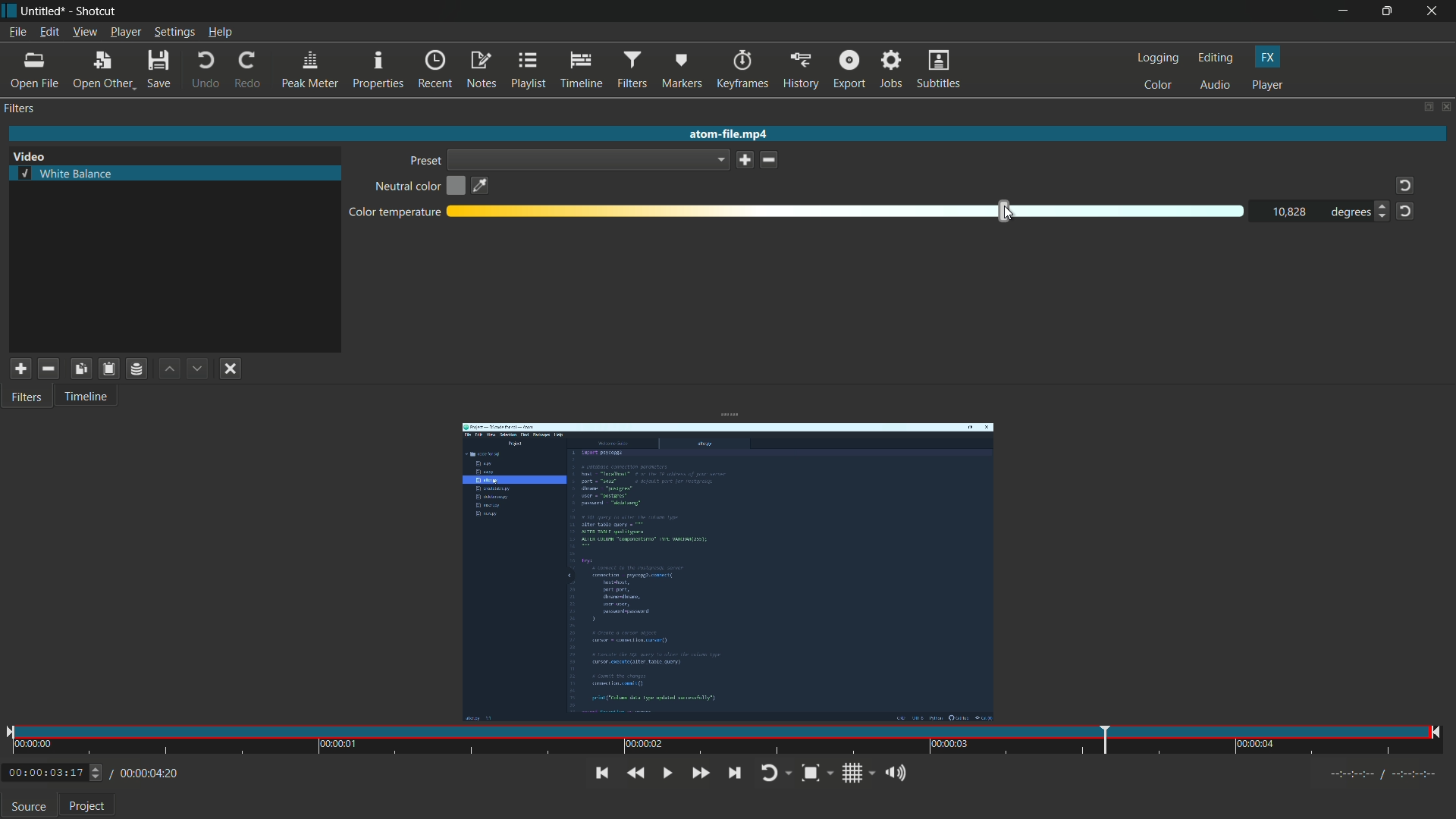 This screenshot has height=819, width=1456. I want to click on change layout, so click(1427, 108).